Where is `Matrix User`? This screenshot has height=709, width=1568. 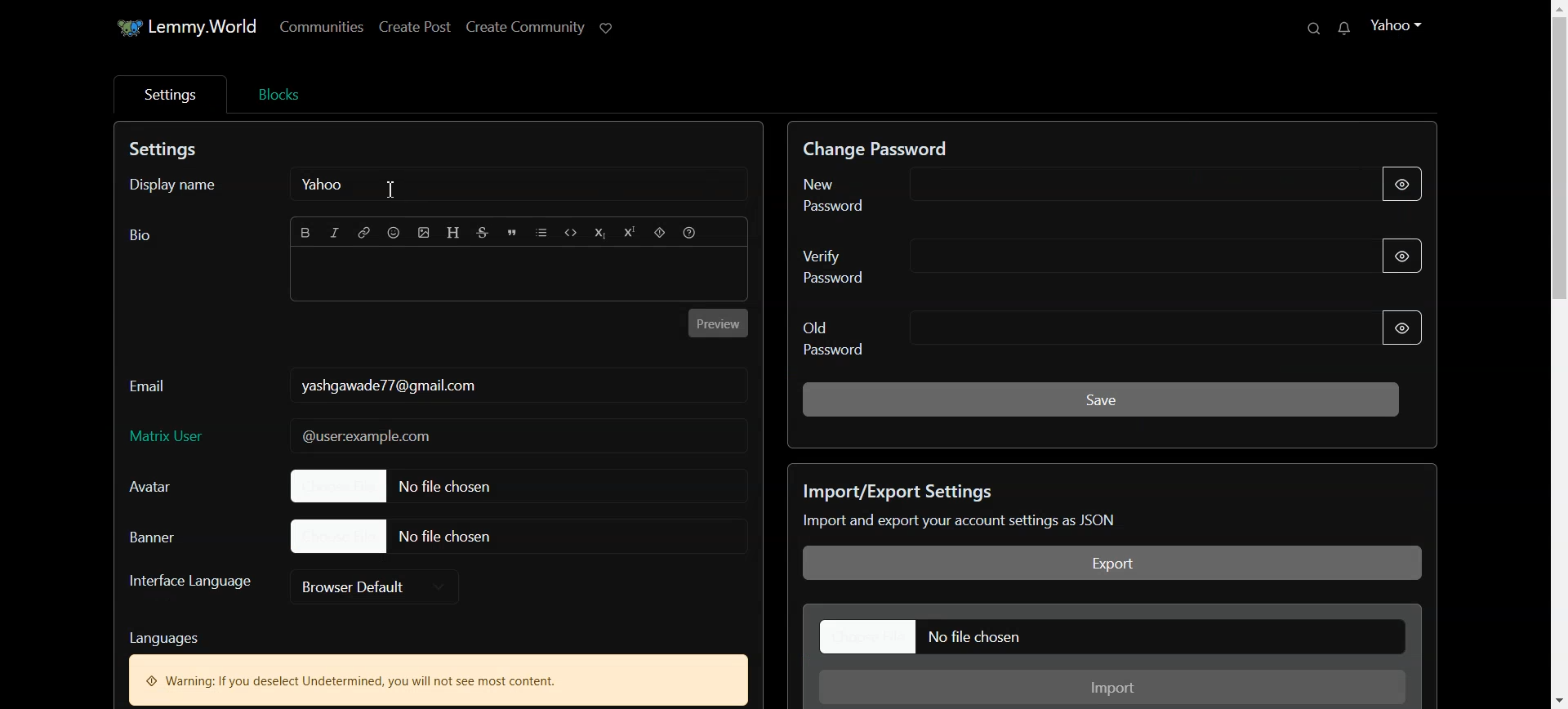
Matrix User is located at coordinates (437, 437).